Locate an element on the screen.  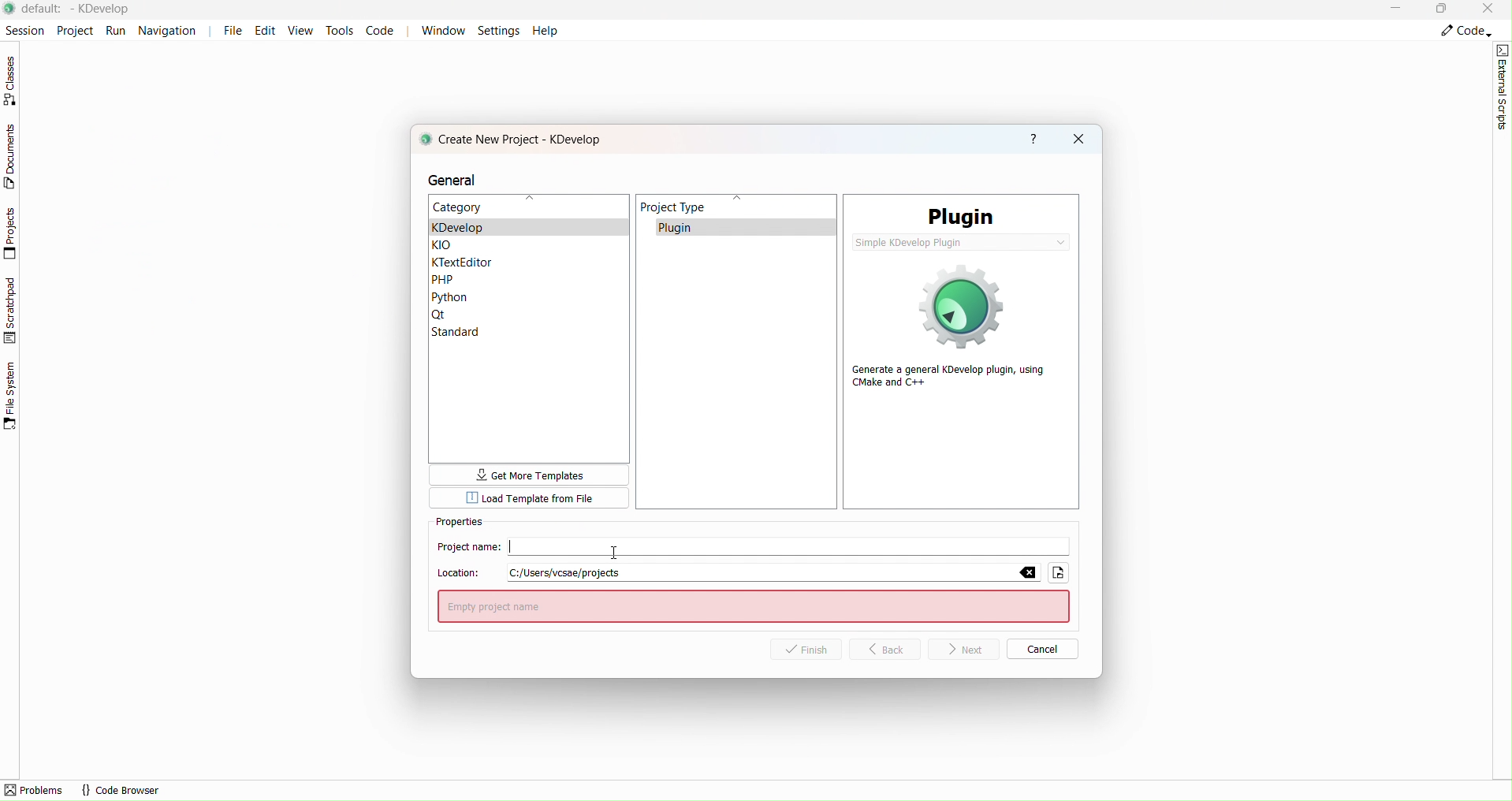
Run is located at coordinates (117, 30).